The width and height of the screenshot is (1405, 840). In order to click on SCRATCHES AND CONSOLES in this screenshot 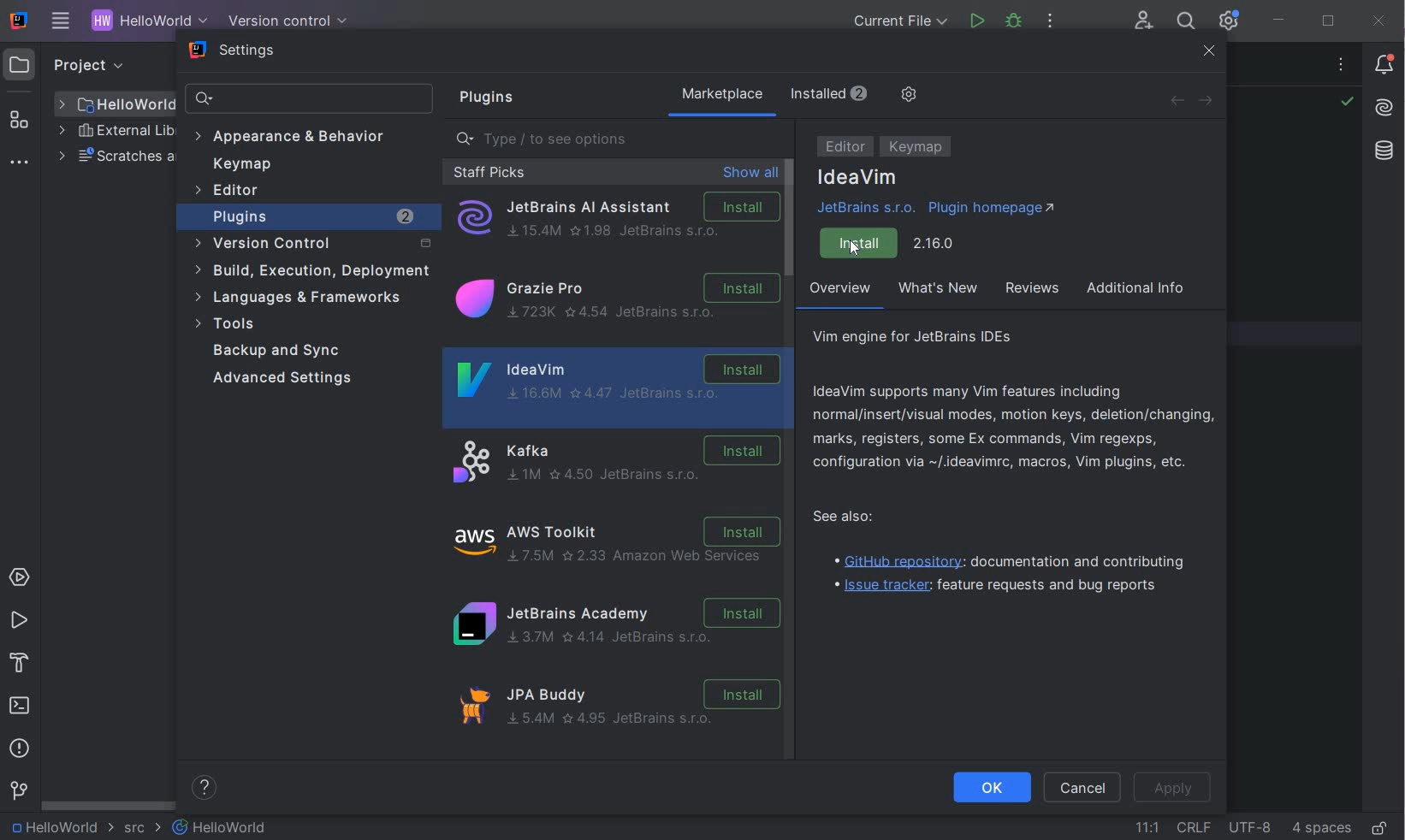, I will do `click(115, 157)`.